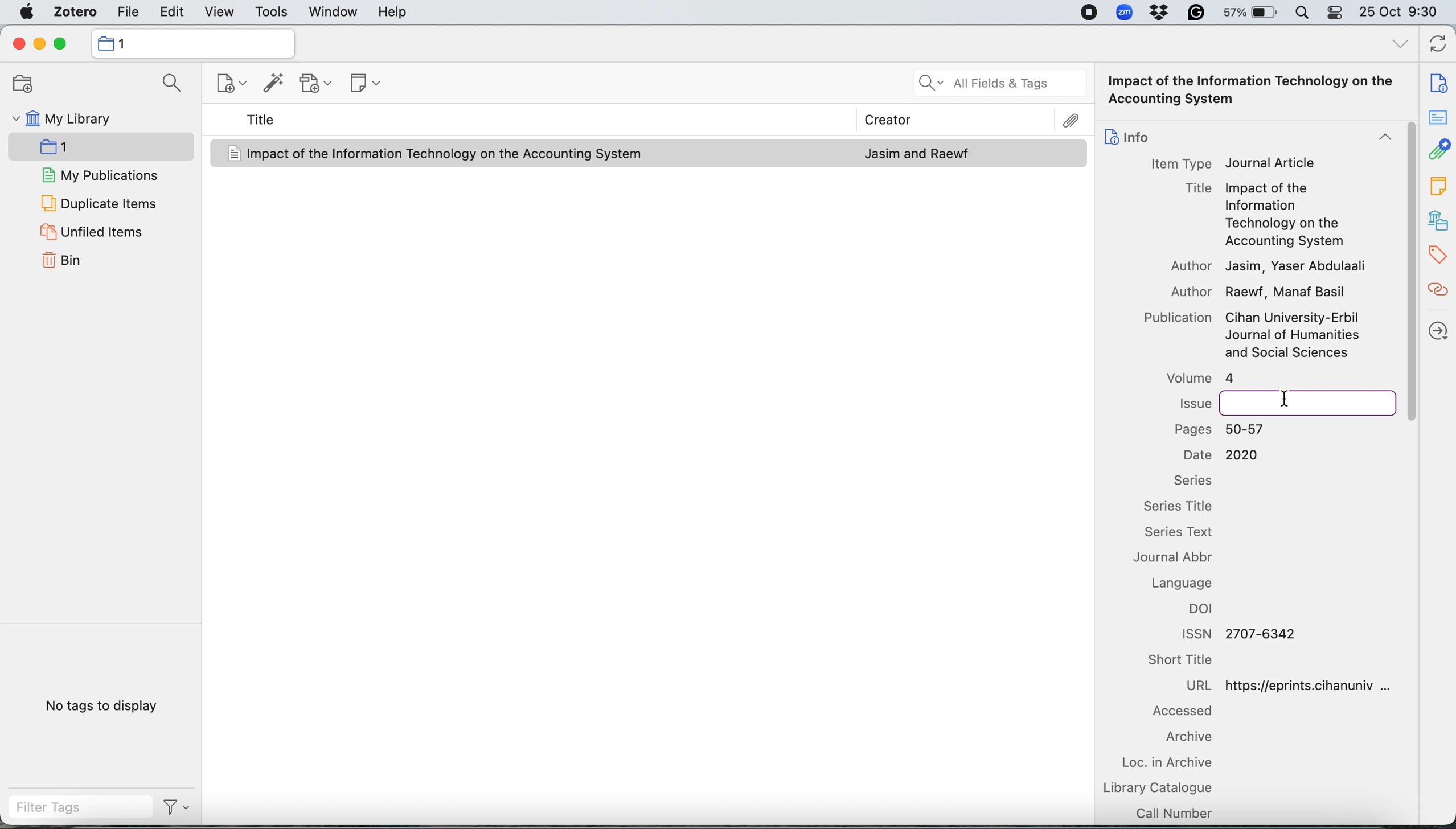 This screenshot has width=1456, height=829. What do you see at coordinates (1185, 507) in the screenshot?
I see `series title` at bounding box center [1185, 507].